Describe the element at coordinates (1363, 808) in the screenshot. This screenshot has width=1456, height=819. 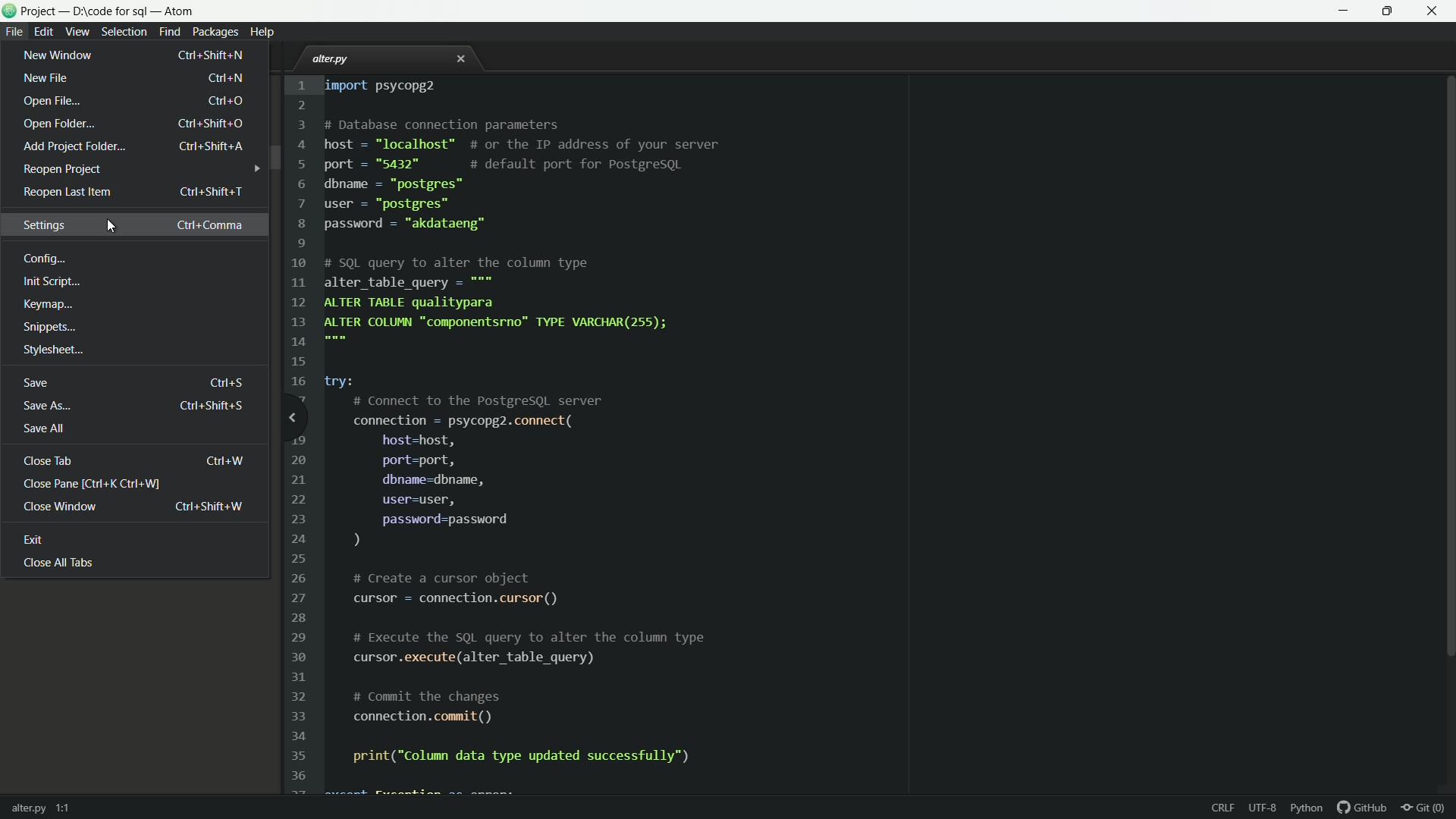
I see `github` at that location.